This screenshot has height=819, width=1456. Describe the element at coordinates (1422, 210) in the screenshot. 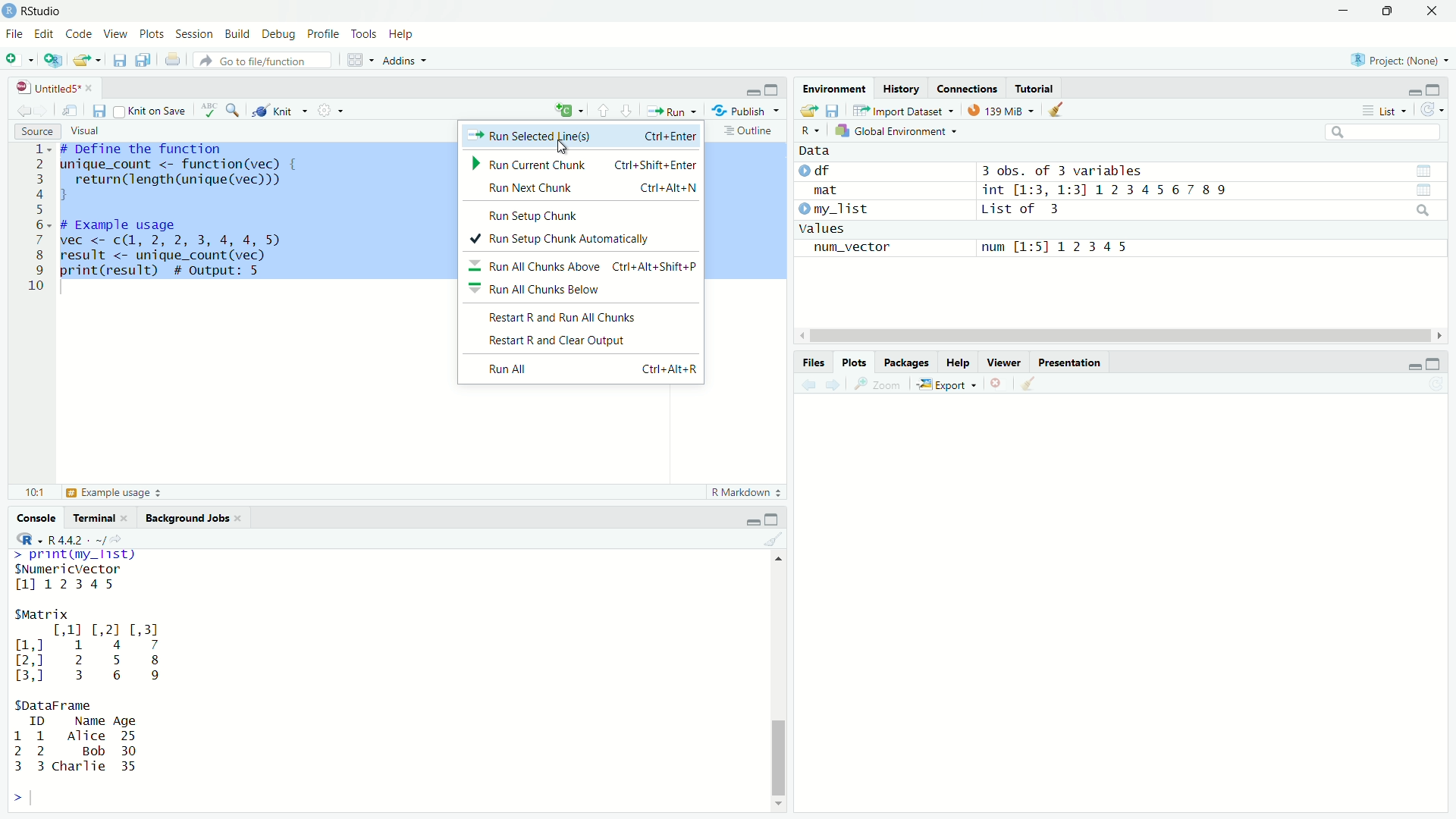

I see `search` at that location.